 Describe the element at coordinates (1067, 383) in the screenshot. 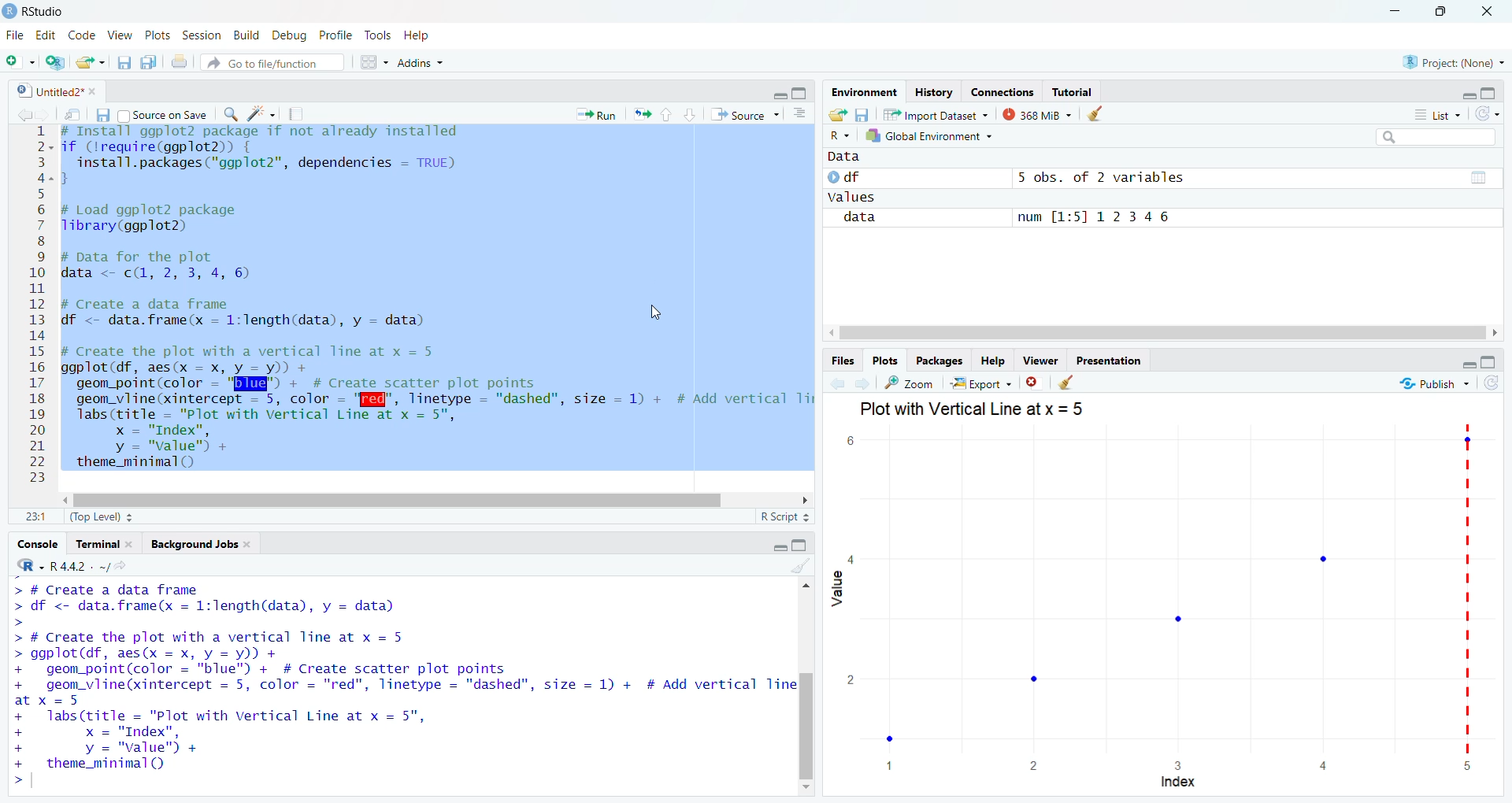

I see `clear` at that location.